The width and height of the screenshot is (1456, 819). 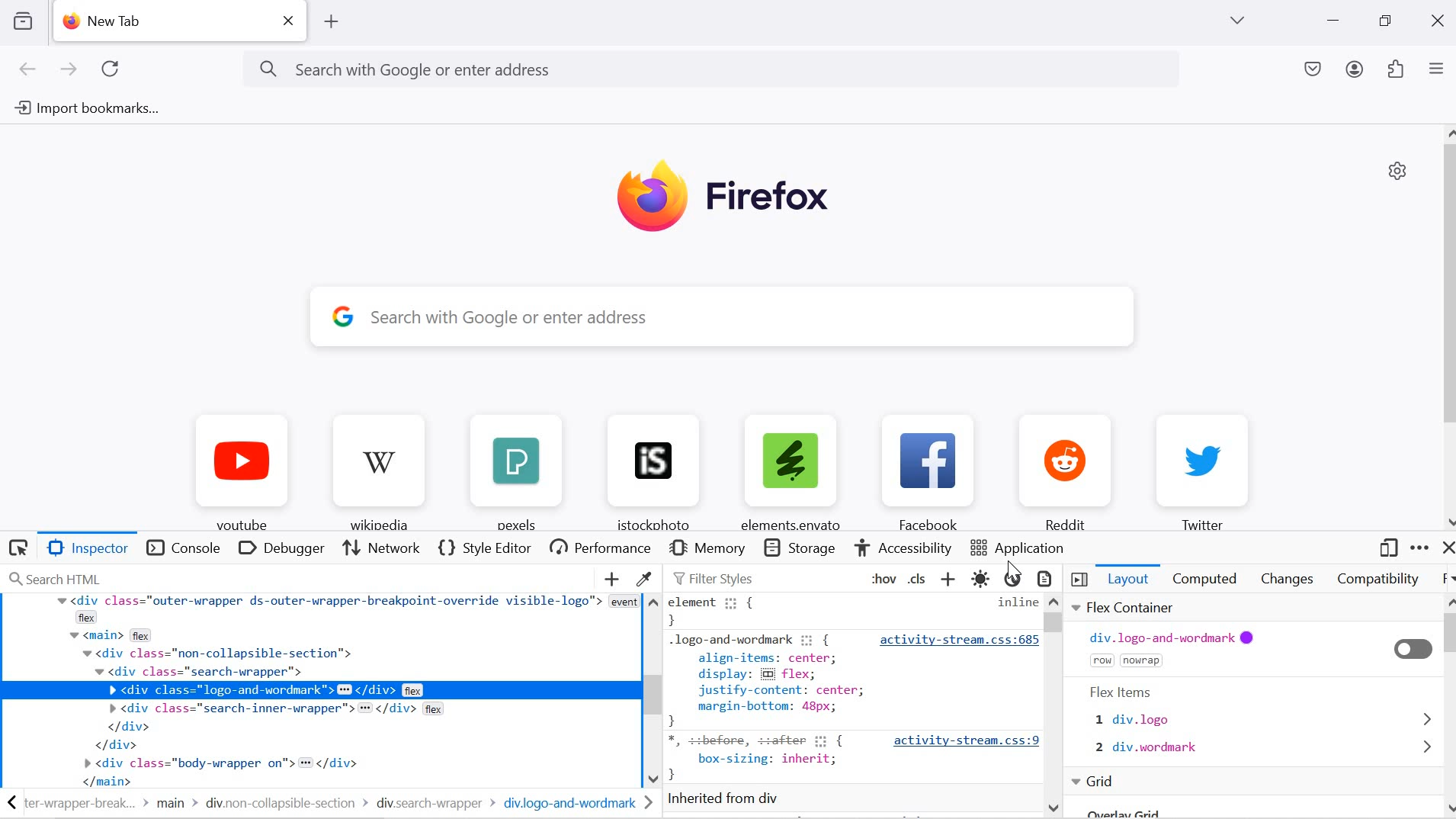 What do you see at coordinates (959, 742) in the screenshot?
I see `activity-stream.css:9` at bounding box center [959, 742].